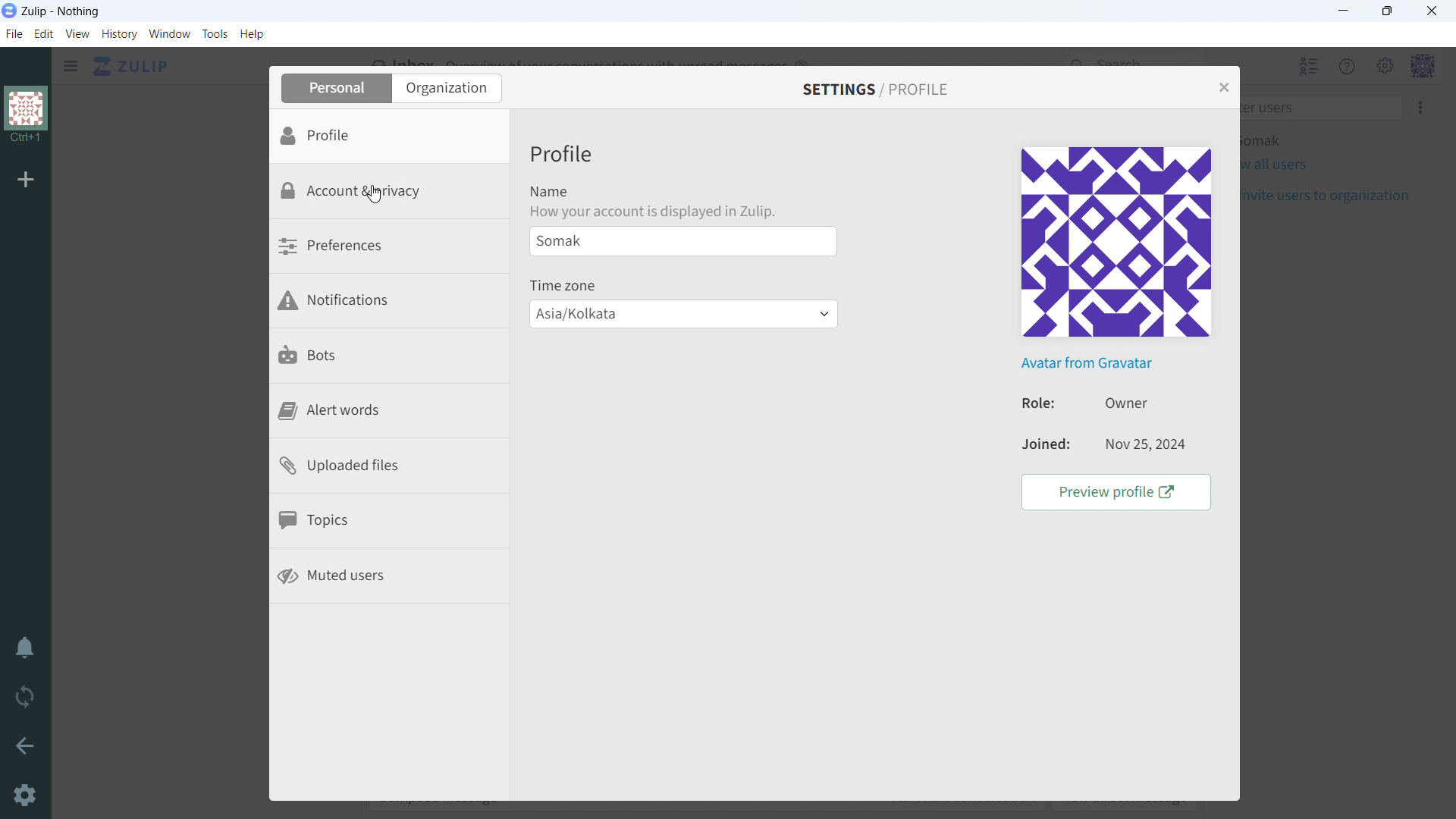  Describe the element at coordinates (446, 88) in the screenshot. I see `organization` at that location.